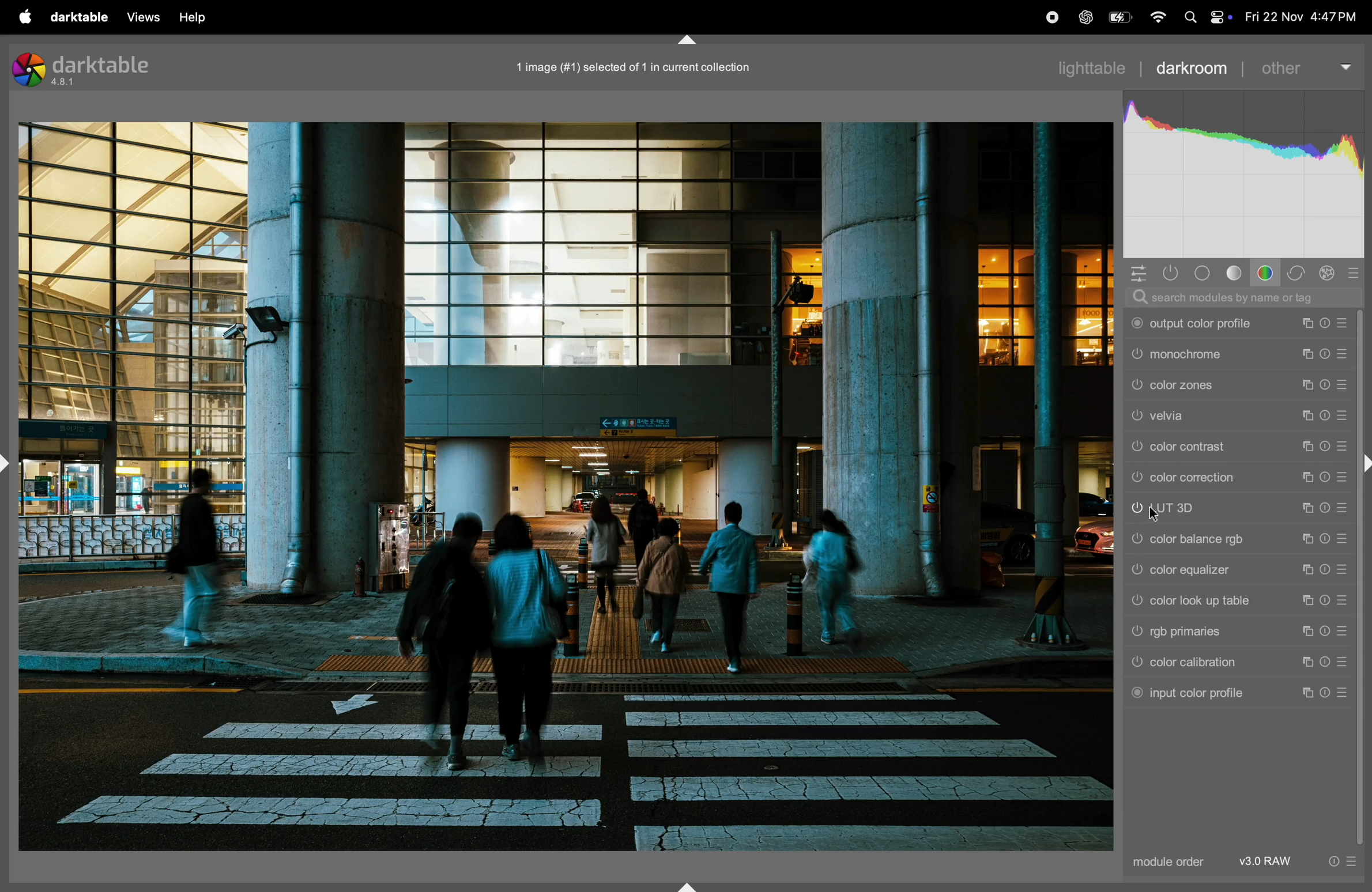  What do you see at coordinates (1136, 540) in the screenshot?
I see `color balance rgb switched off` at bounding box center [1136, 540].